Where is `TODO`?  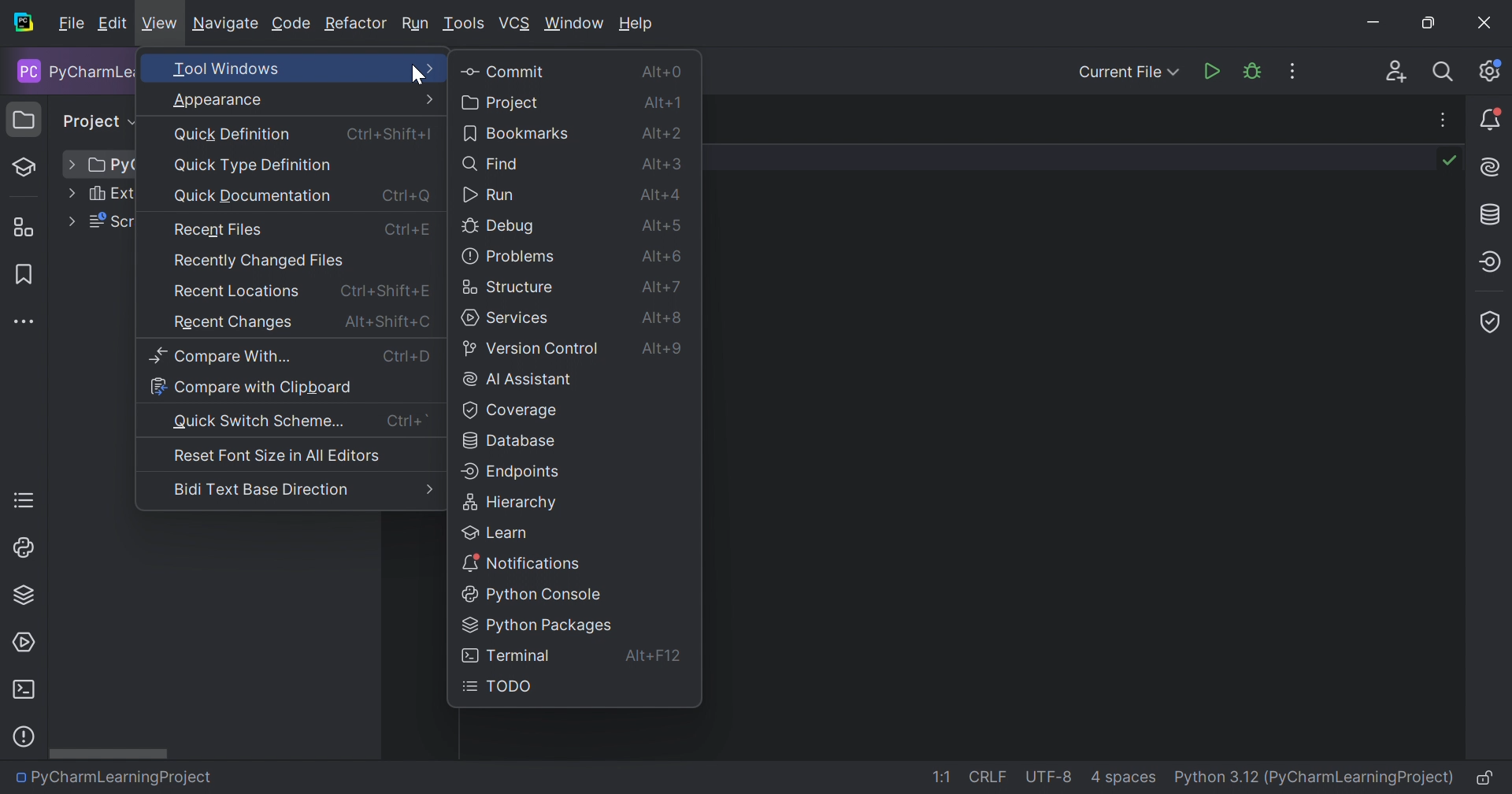 TODO is located at coordinates (502, 687).